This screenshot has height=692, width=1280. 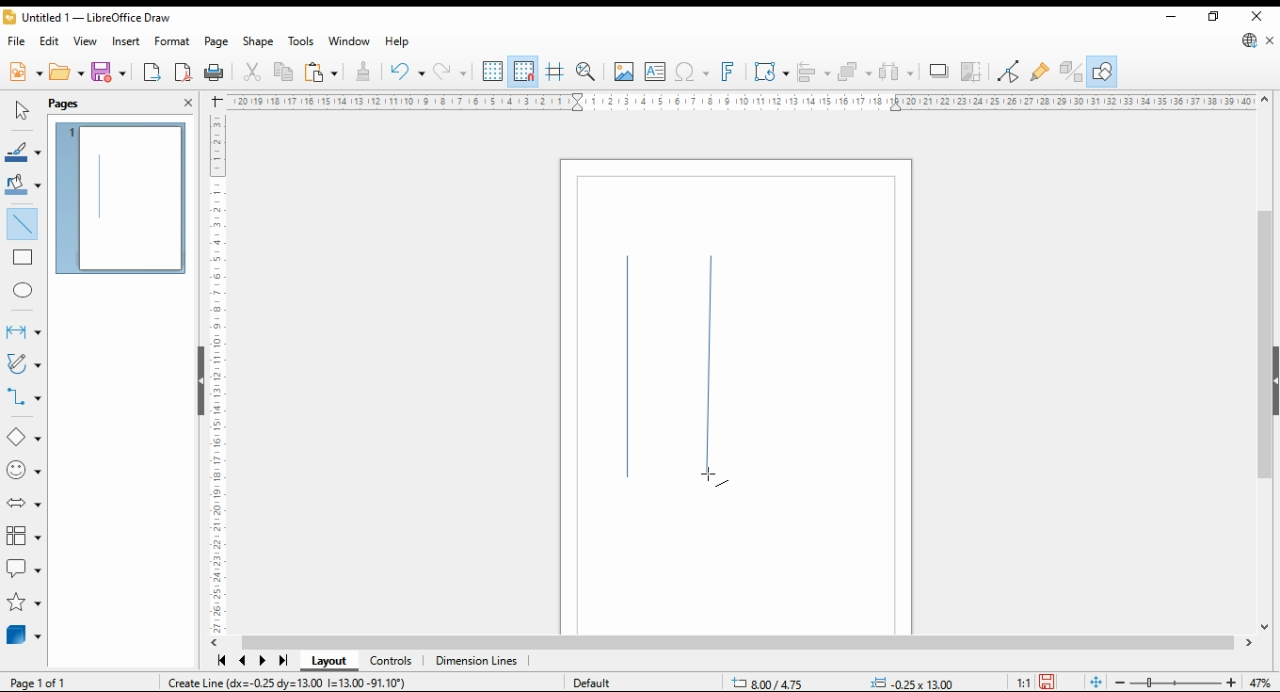 What do you see at coordinates (738, 642) in the screenshot?
I see `scroll bar` at bounding box center [738, 642].